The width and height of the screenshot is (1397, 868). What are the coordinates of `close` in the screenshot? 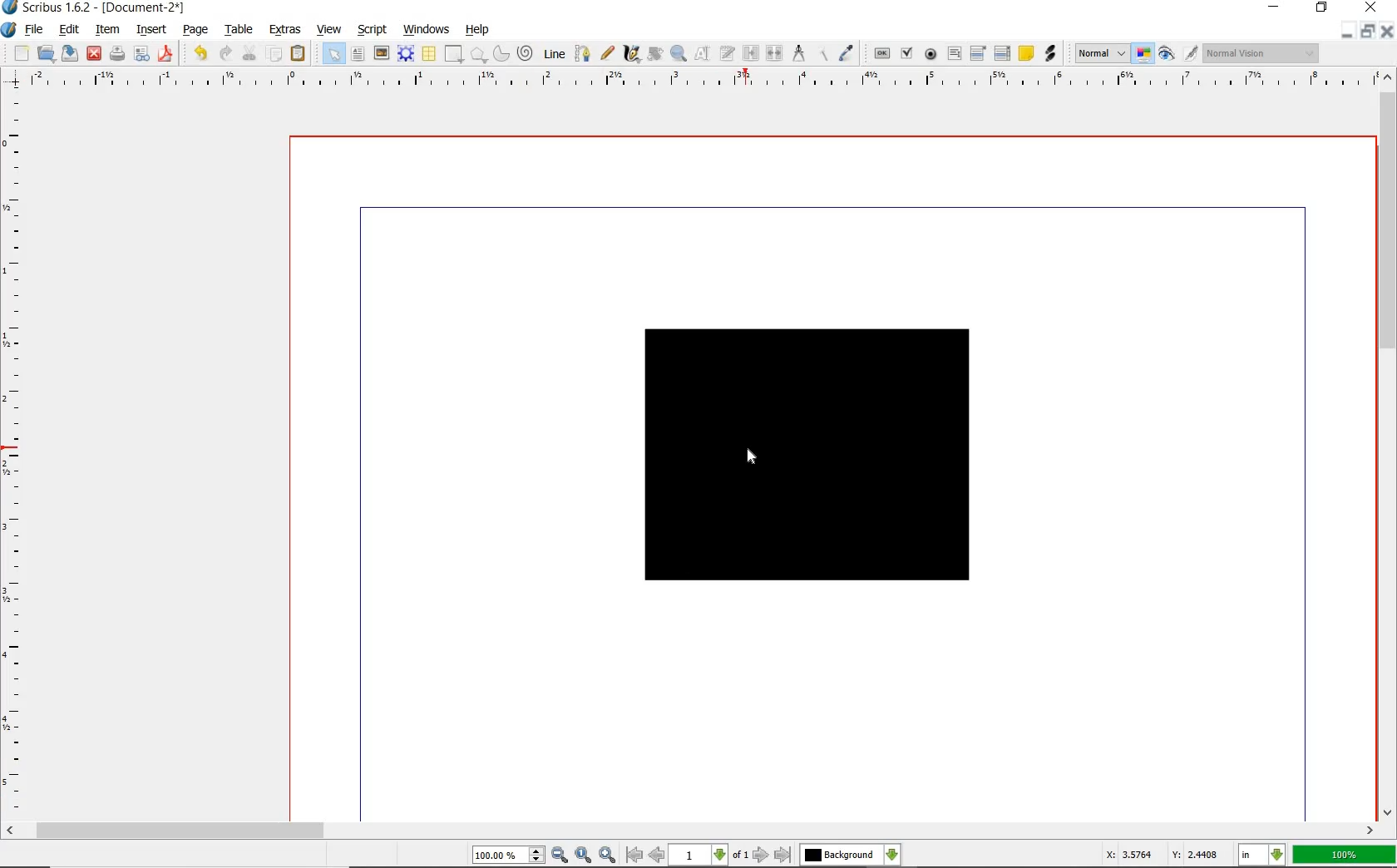 It's located at (93, 55).